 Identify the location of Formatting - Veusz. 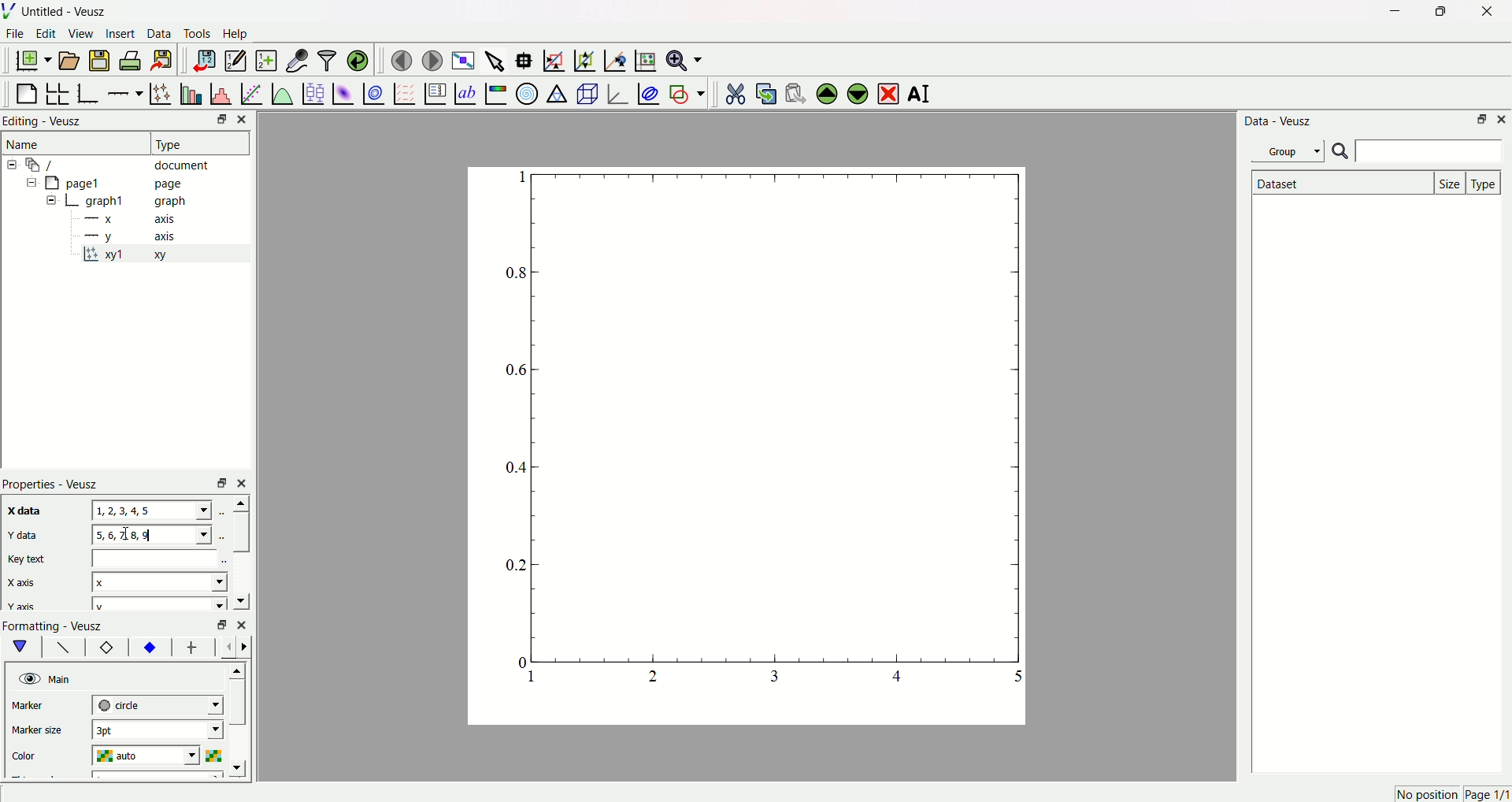
(61, 626).